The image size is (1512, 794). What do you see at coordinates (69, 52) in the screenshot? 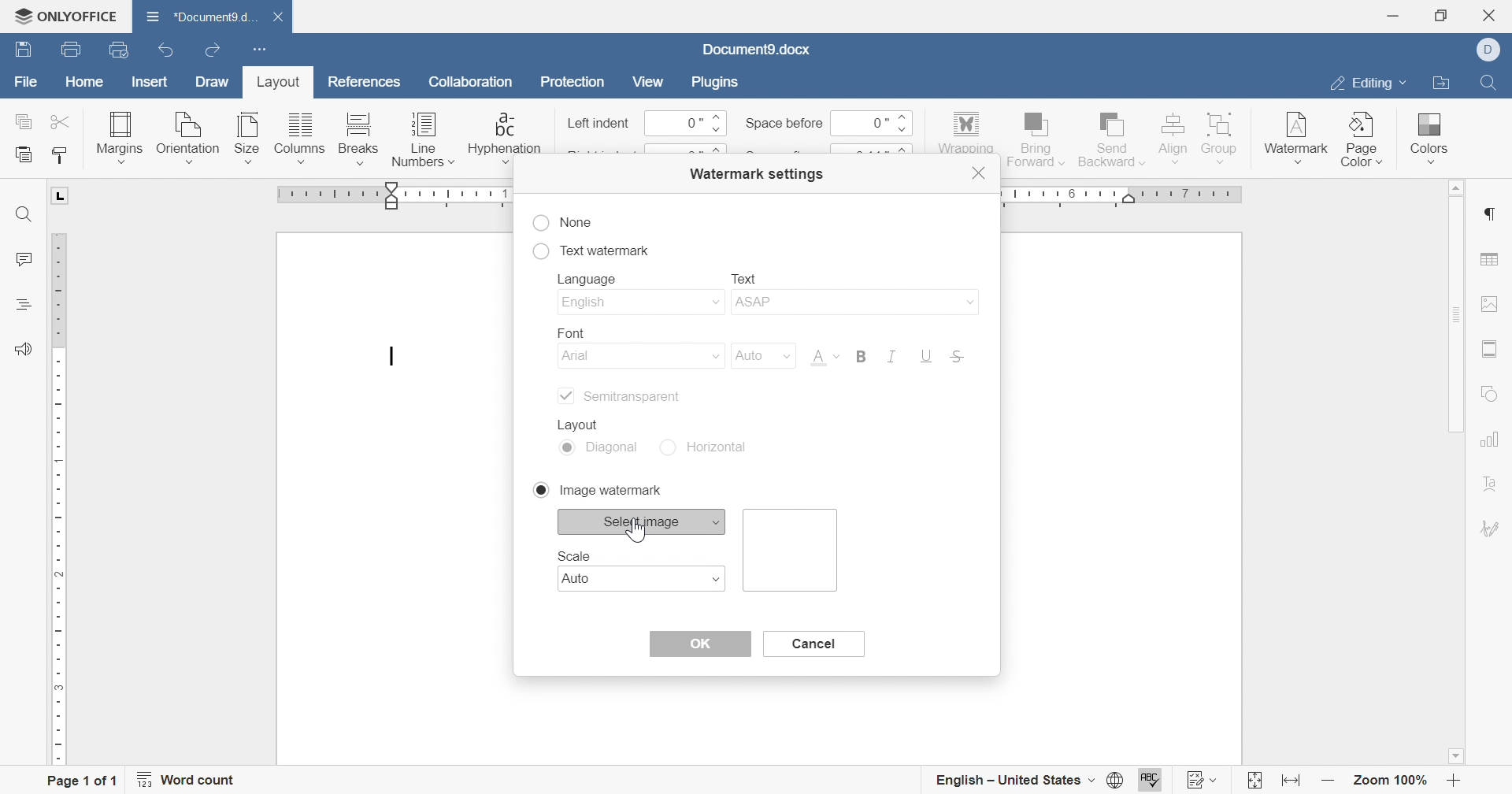
I see `print` at bounding box center [69, 52].